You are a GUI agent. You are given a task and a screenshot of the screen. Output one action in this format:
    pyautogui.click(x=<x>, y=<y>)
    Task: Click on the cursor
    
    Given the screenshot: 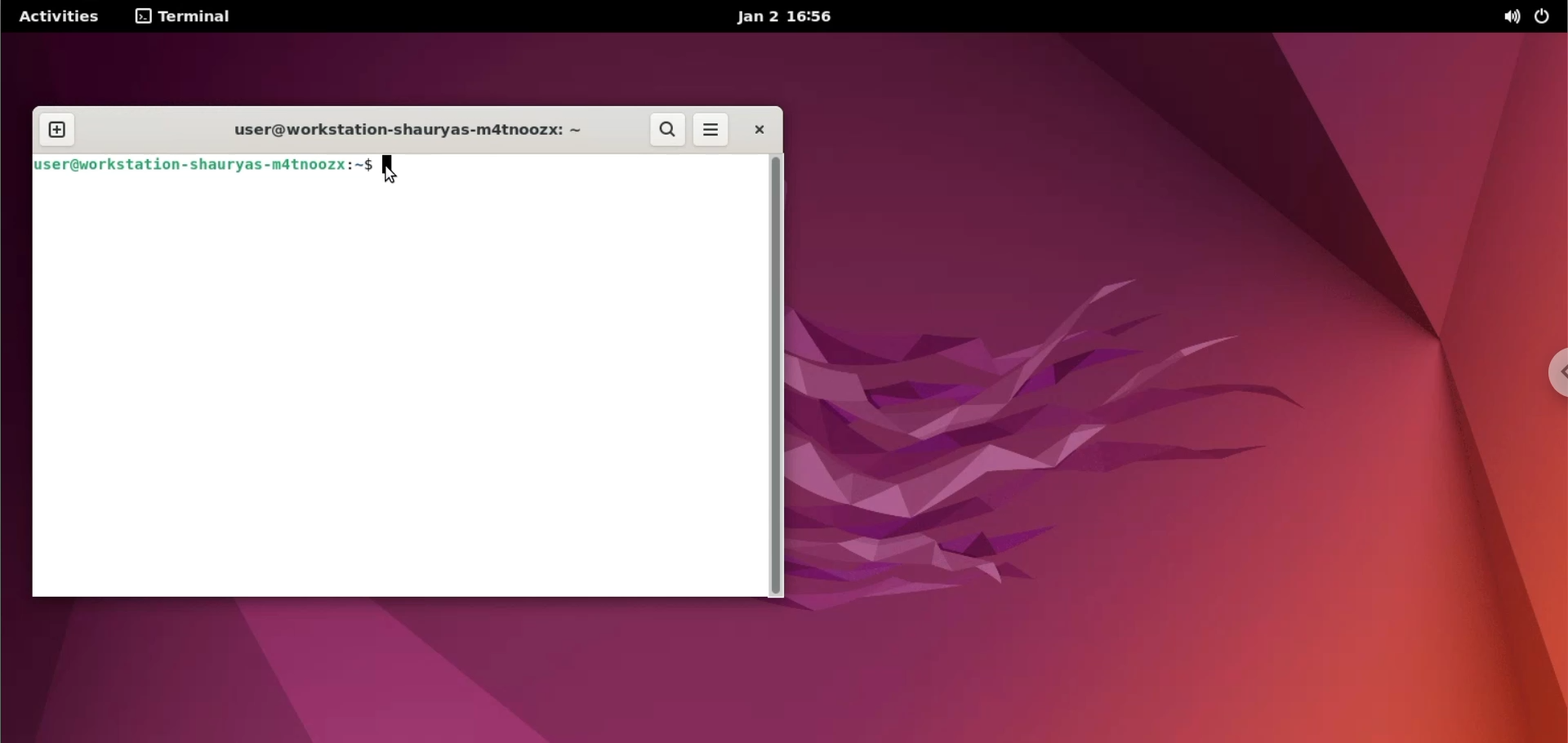 What is the action you would take?
    pyautogui.click(x=393, y=169)
    